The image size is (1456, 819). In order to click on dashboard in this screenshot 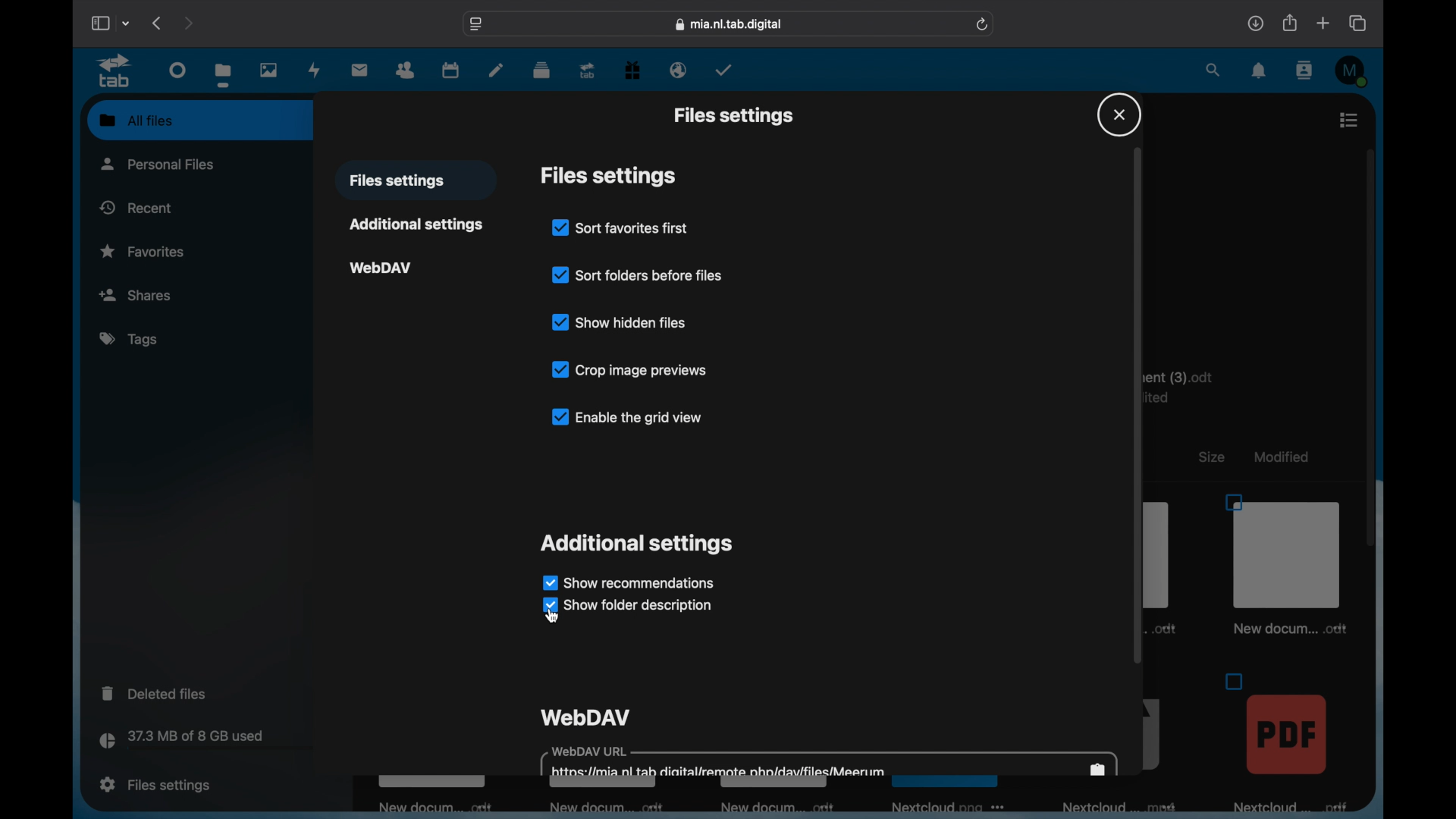, I will do `click(178, 69)`.